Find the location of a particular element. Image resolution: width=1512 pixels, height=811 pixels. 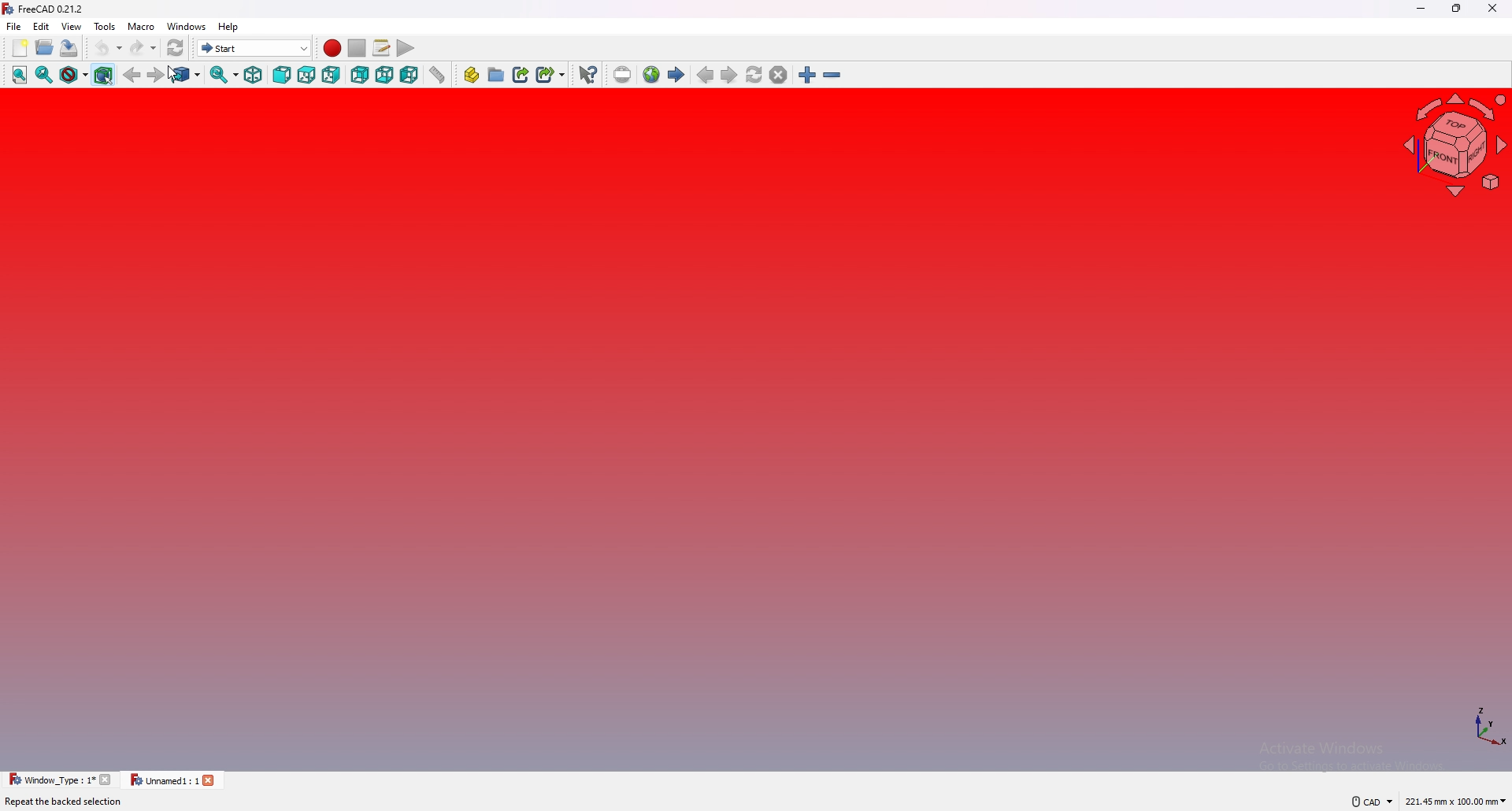

next page is located at coordinates (728, 75).